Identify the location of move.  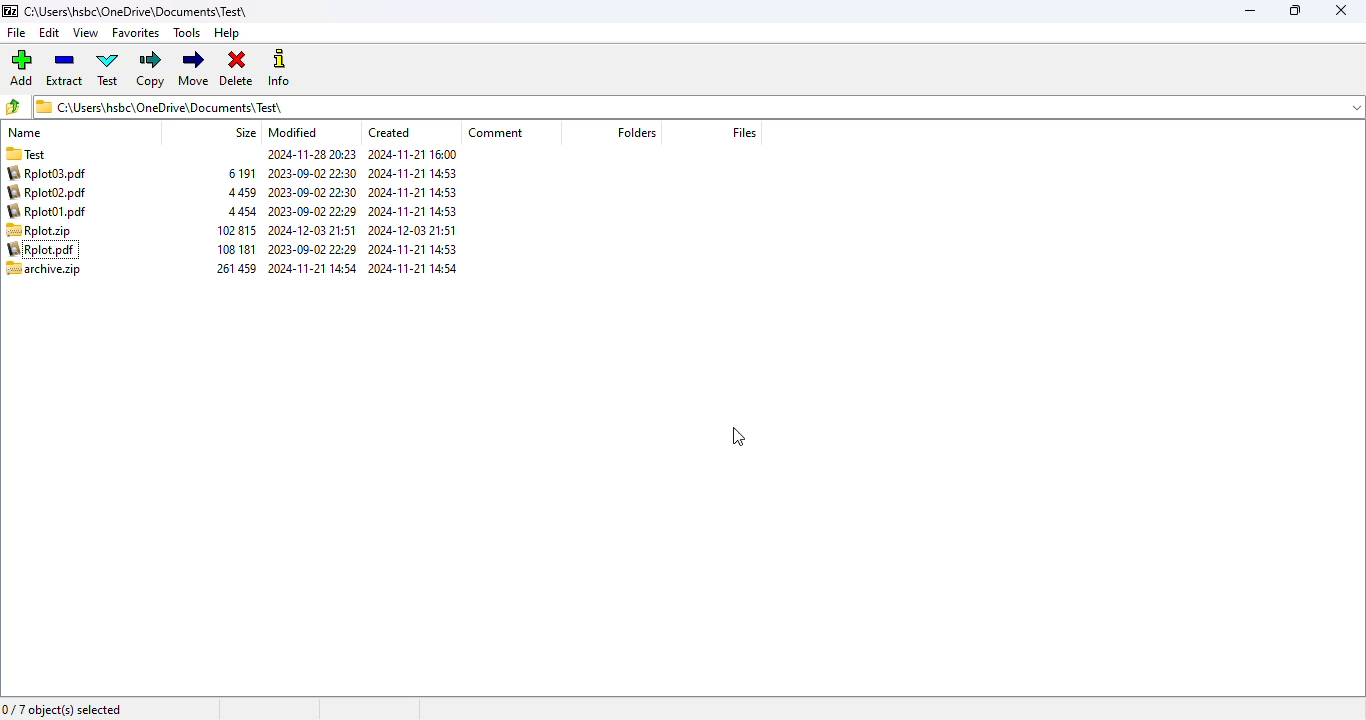
(195, 68).